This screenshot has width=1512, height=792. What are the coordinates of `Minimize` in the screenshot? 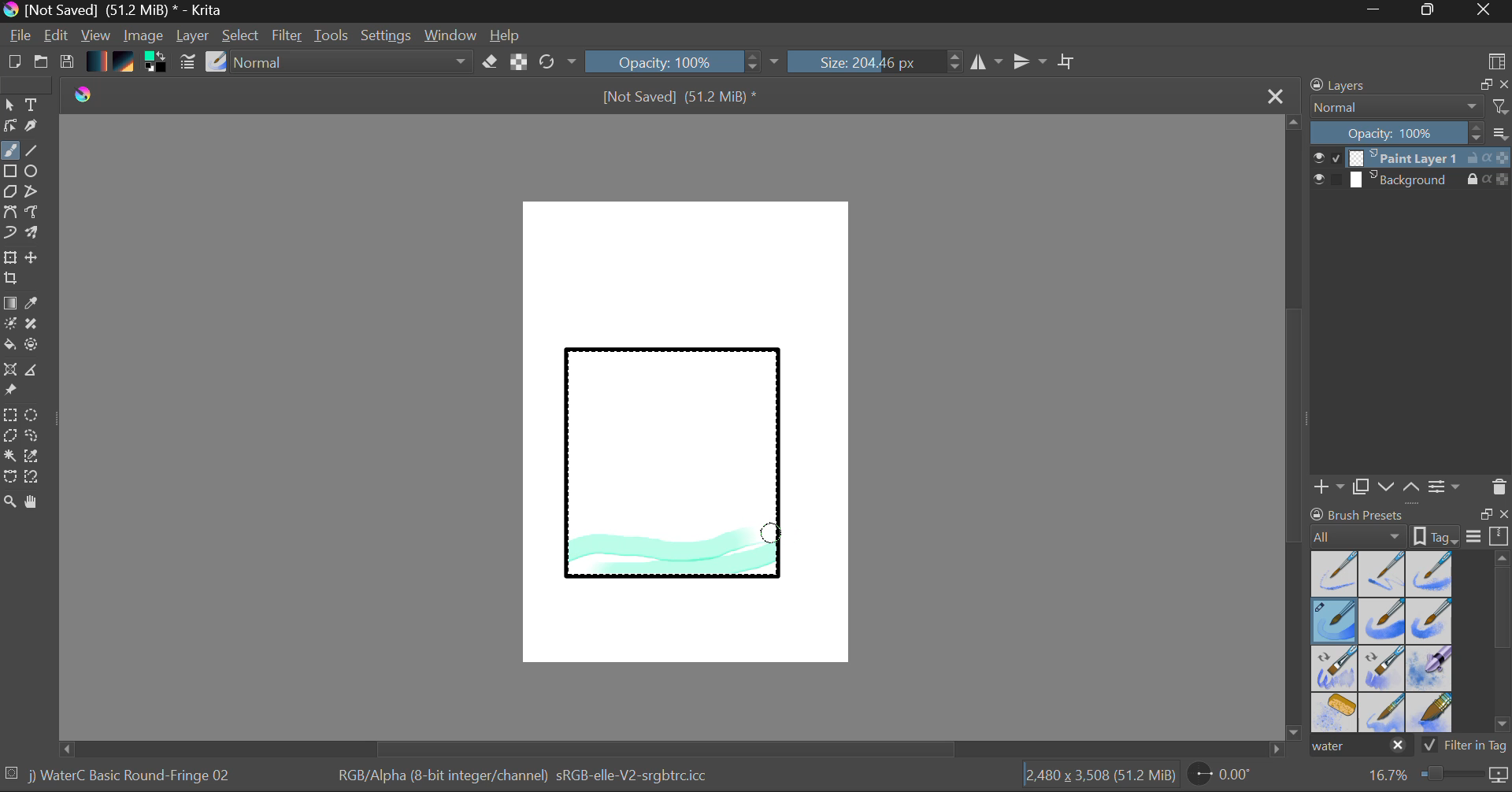 It's located at (1431, 11).